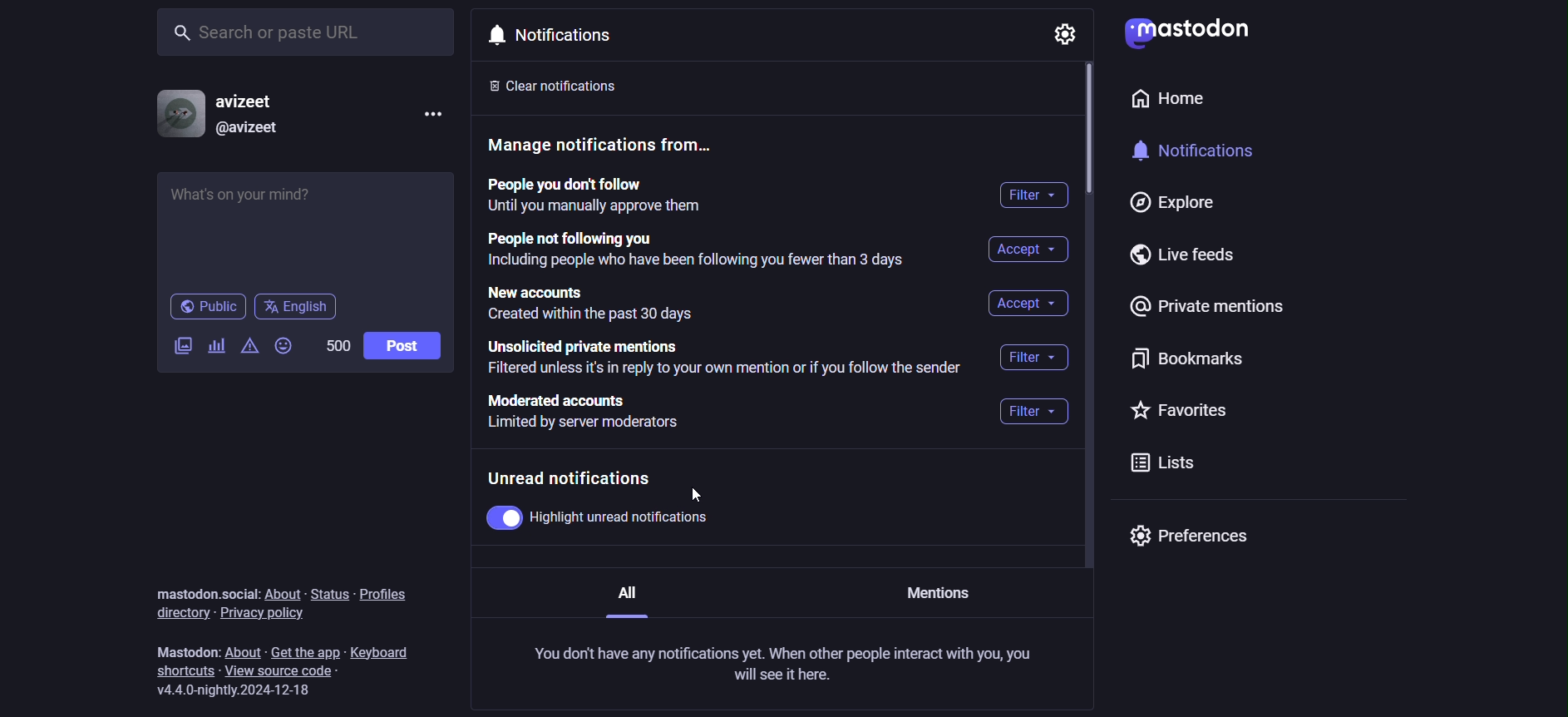 The height and width of the screenshot is (717, 1568). Describe the element at coordinates (382, 650) in the screenshot. I see `keyboard` at that location.